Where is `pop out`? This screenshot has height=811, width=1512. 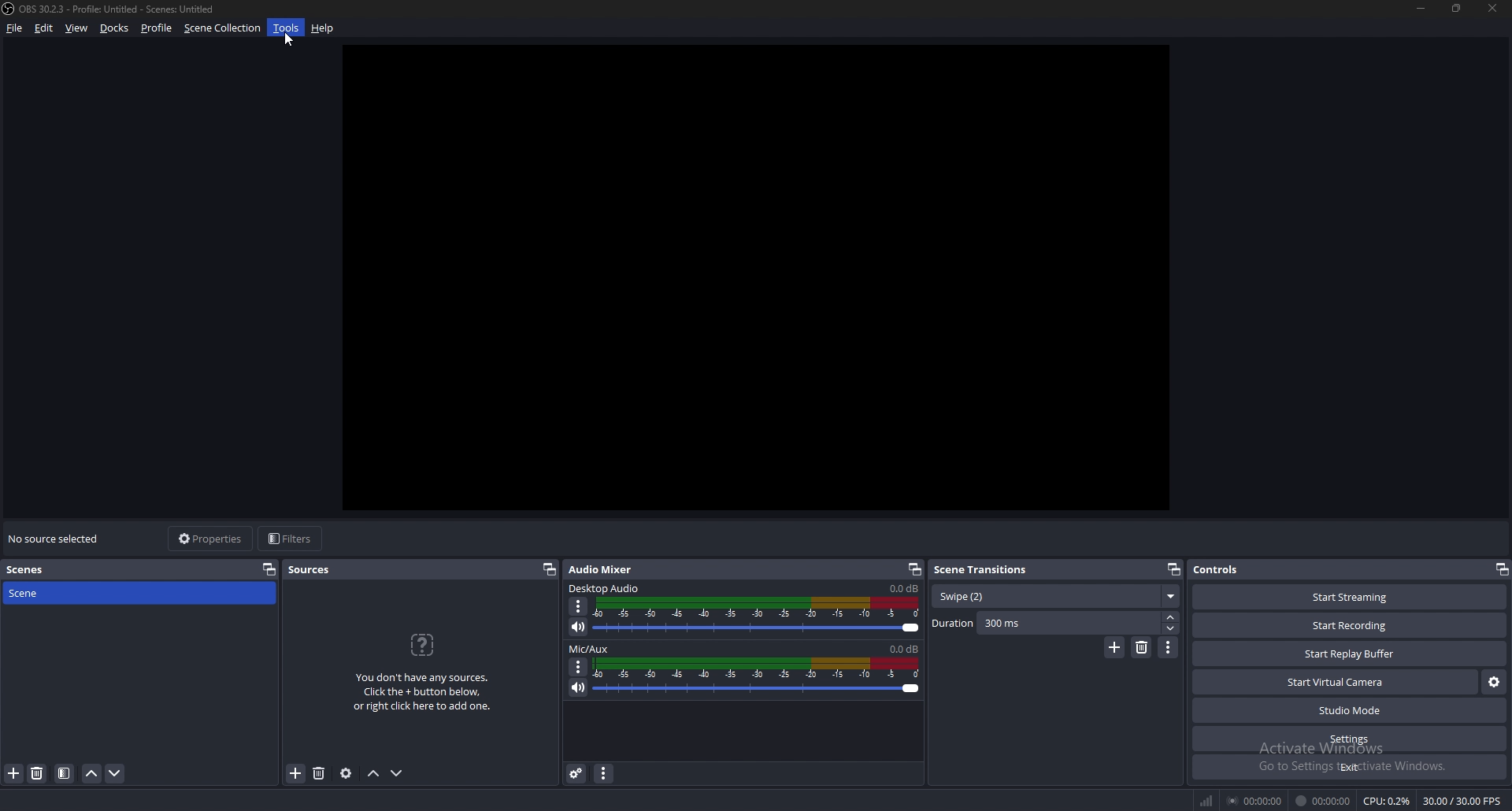
pop out is located at coordinates (914, 569).